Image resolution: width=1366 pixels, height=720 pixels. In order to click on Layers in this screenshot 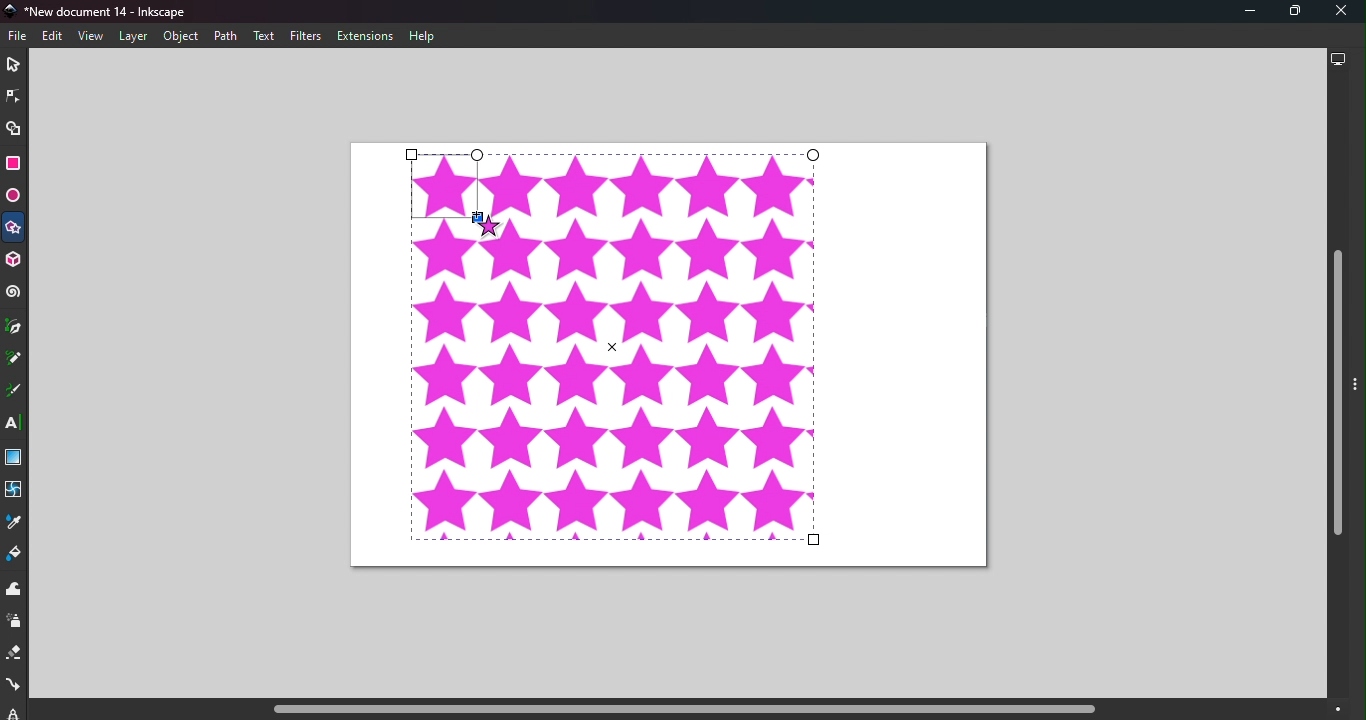, I will do `click(132, 37)`.